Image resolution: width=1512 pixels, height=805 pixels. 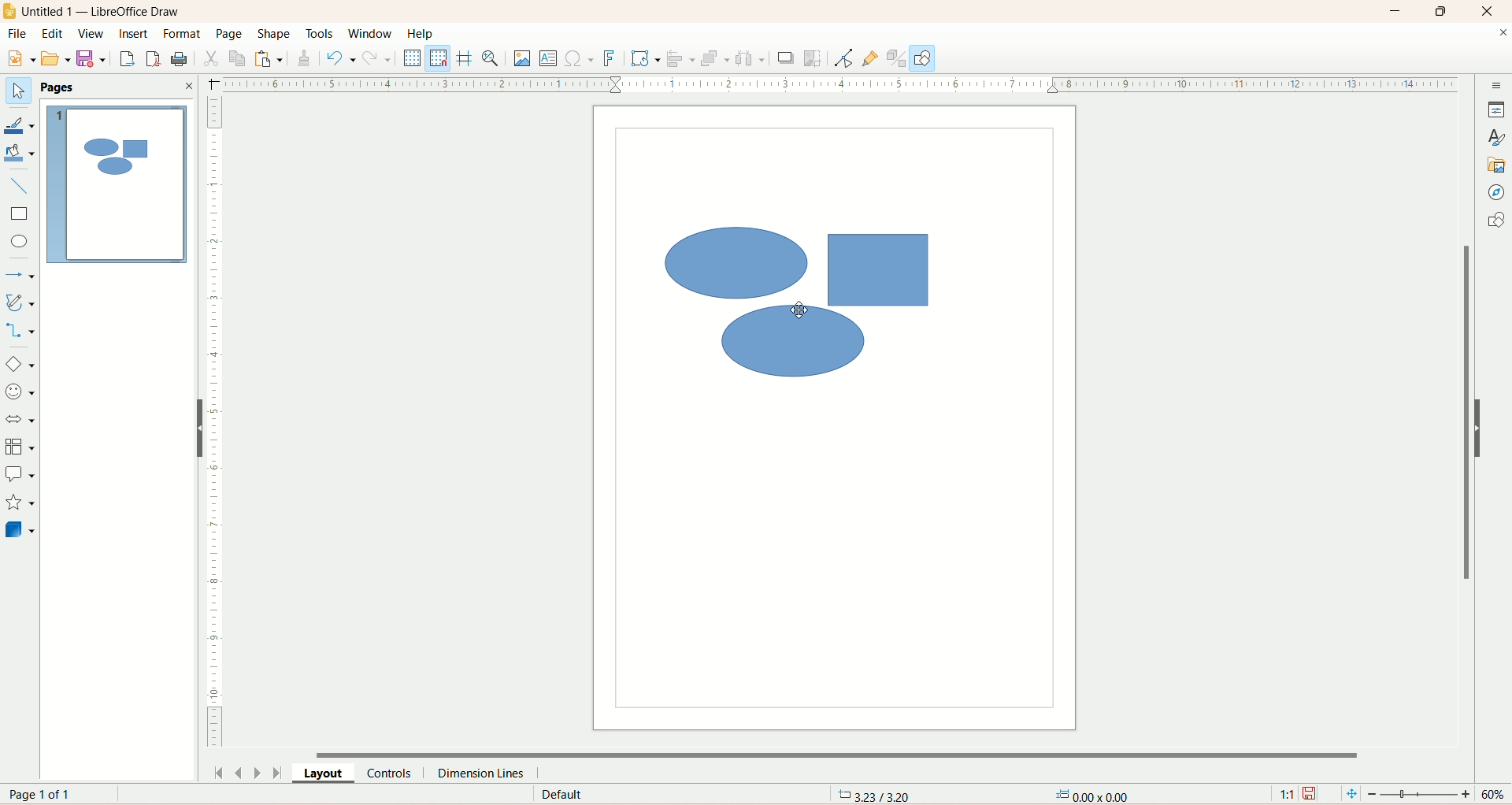 What do you see at coordinates (93, 59) in the screenshot?
I see `save` at bounding box center [93, 59].